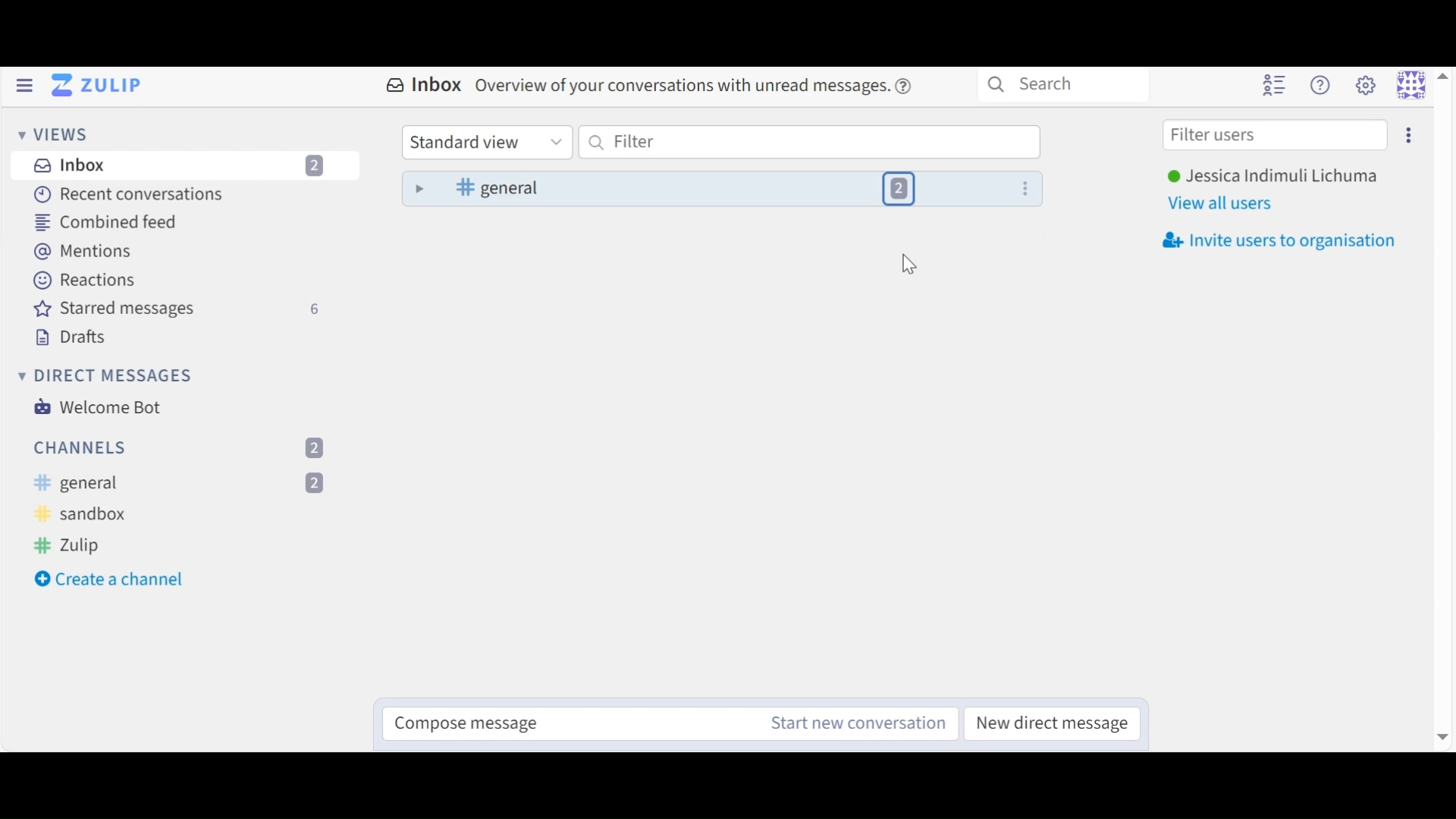 This screenshot has height=819, width=1456. Describe the element at coordinates (96, 514) in the screenshot. I see `Sandbox` at that location.